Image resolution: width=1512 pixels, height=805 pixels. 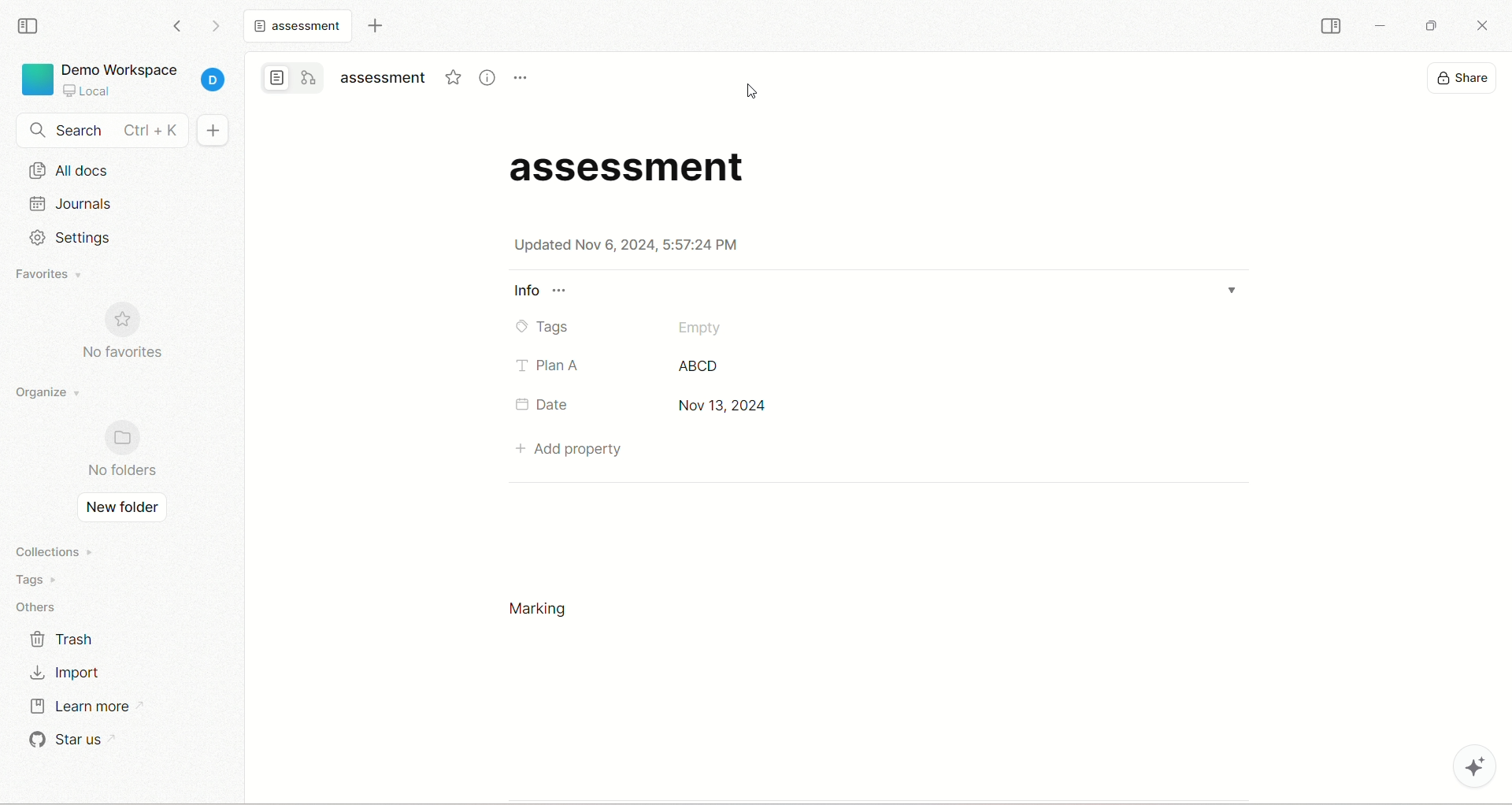 I want to click on Plan A, so click(x=550, y=366).